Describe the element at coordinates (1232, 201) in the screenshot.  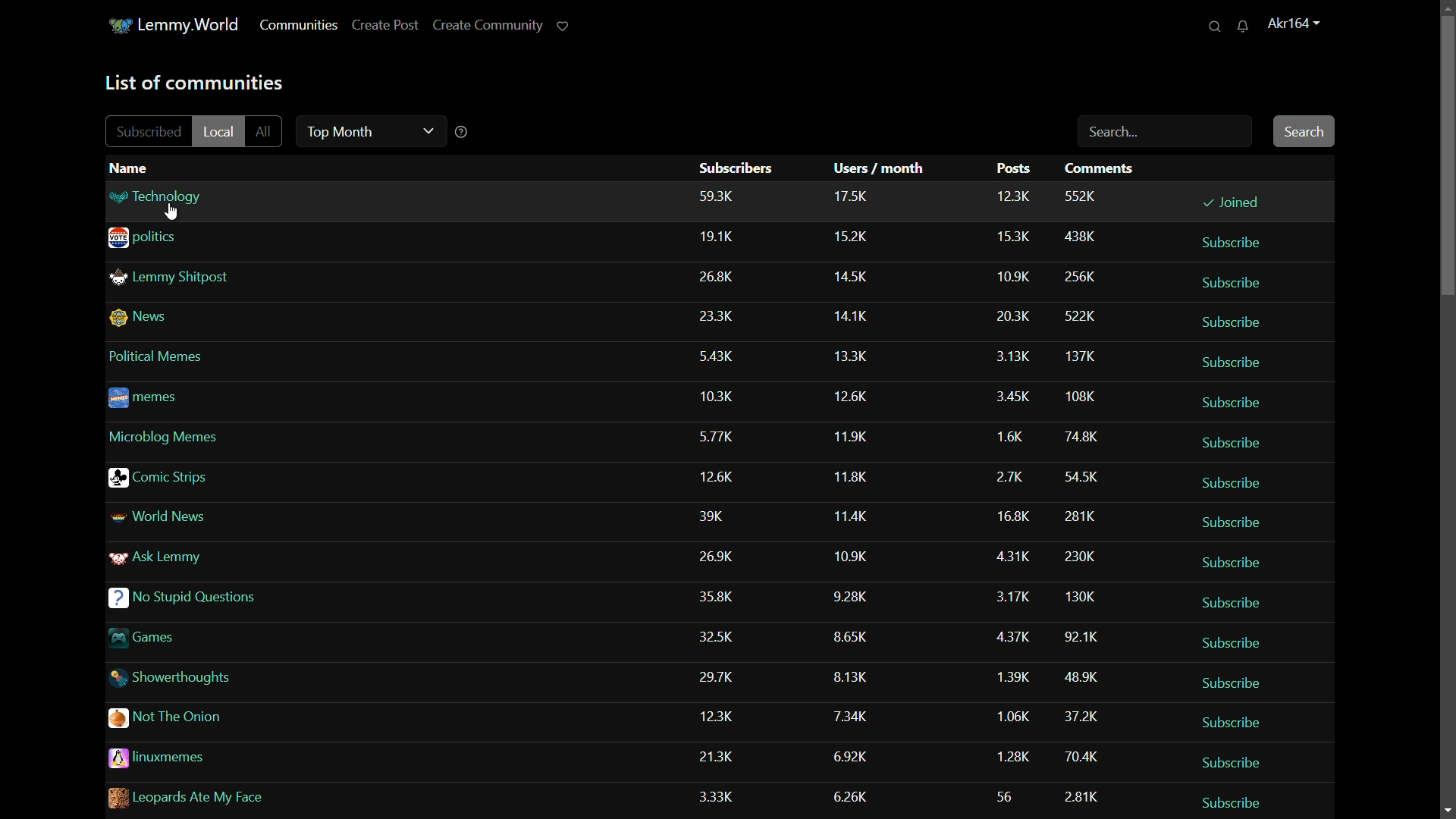
I see `subscribe/unsubscribe` at that location.